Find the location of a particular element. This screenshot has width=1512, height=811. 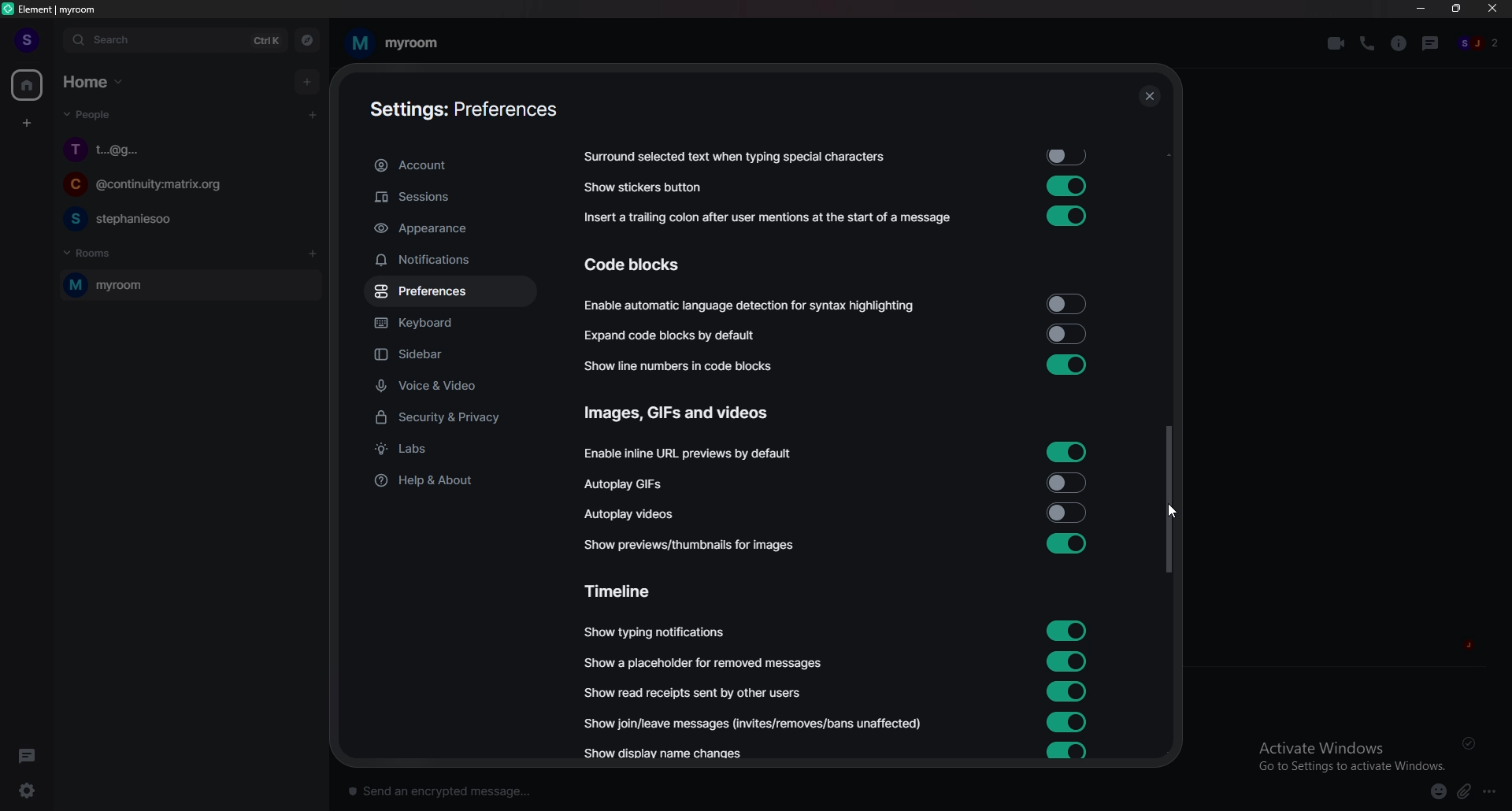

add is located at coordinates (309, 81).